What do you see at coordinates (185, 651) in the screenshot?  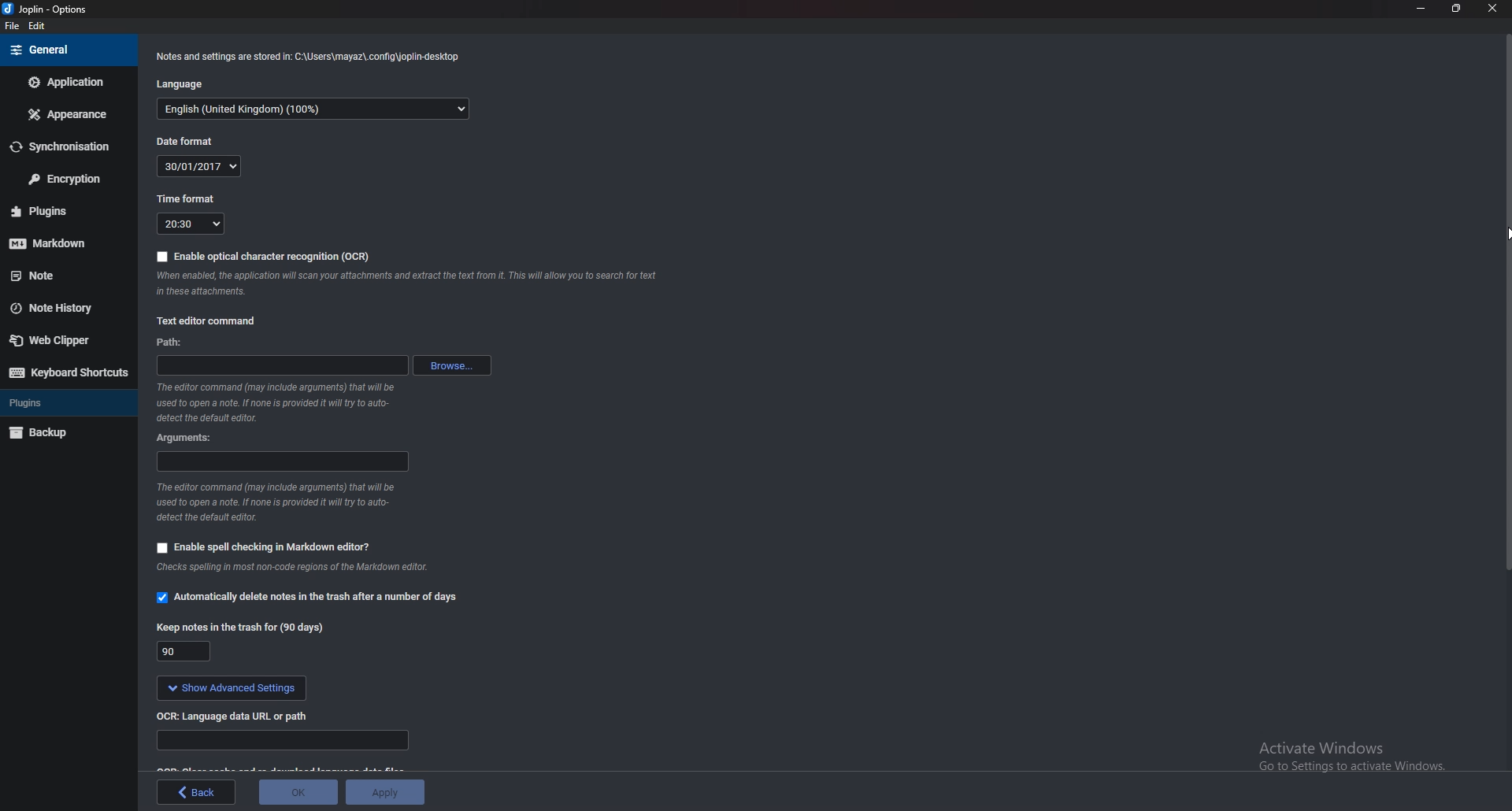 I see `90 days` at bounding box center [185, 651].